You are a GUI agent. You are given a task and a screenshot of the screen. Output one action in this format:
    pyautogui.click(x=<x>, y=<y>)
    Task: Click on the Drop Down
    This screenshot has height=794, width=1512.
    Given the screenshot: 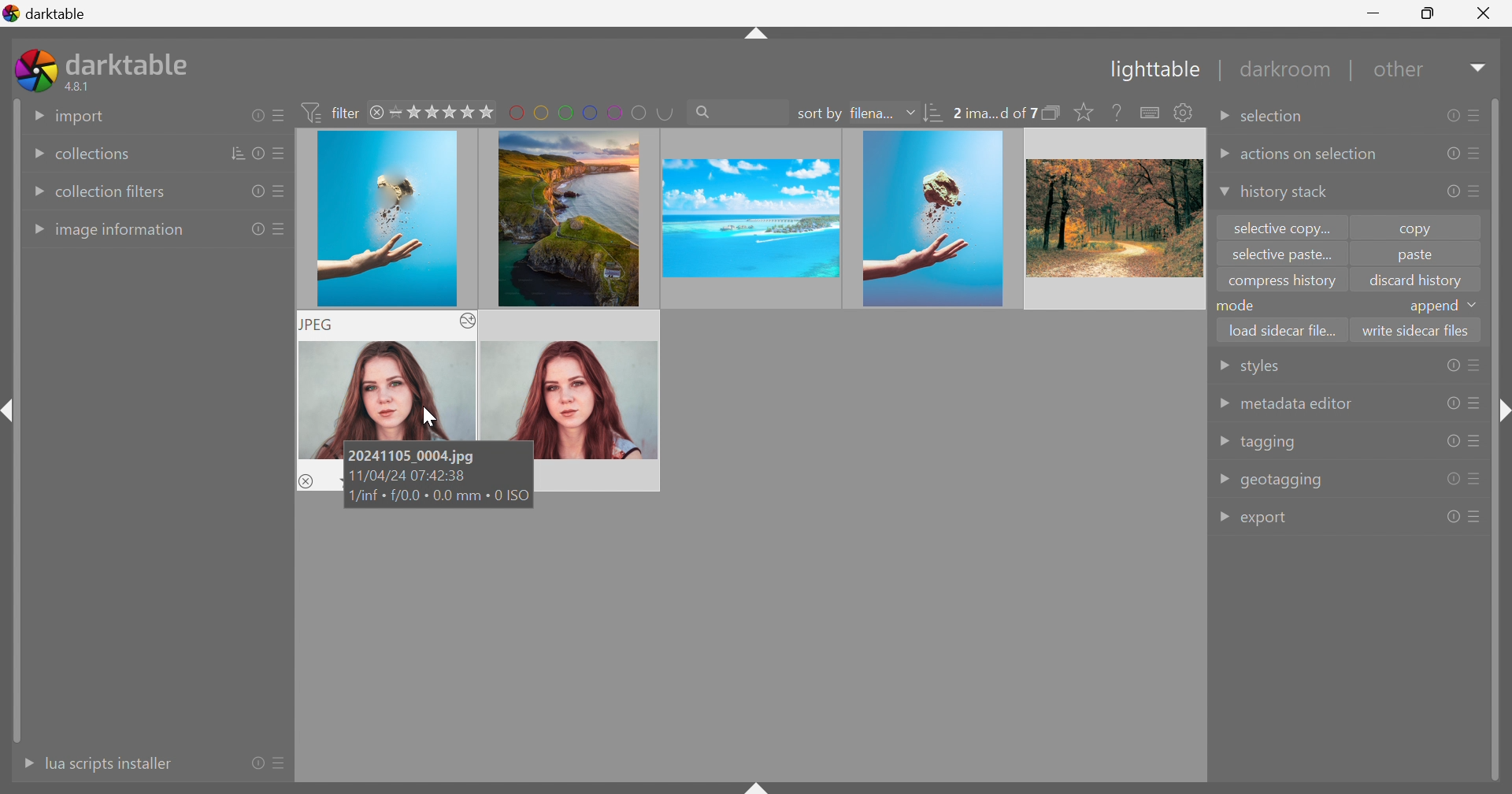 What is the action you would take?
    pyautogui.click(x=31, y=155)
    